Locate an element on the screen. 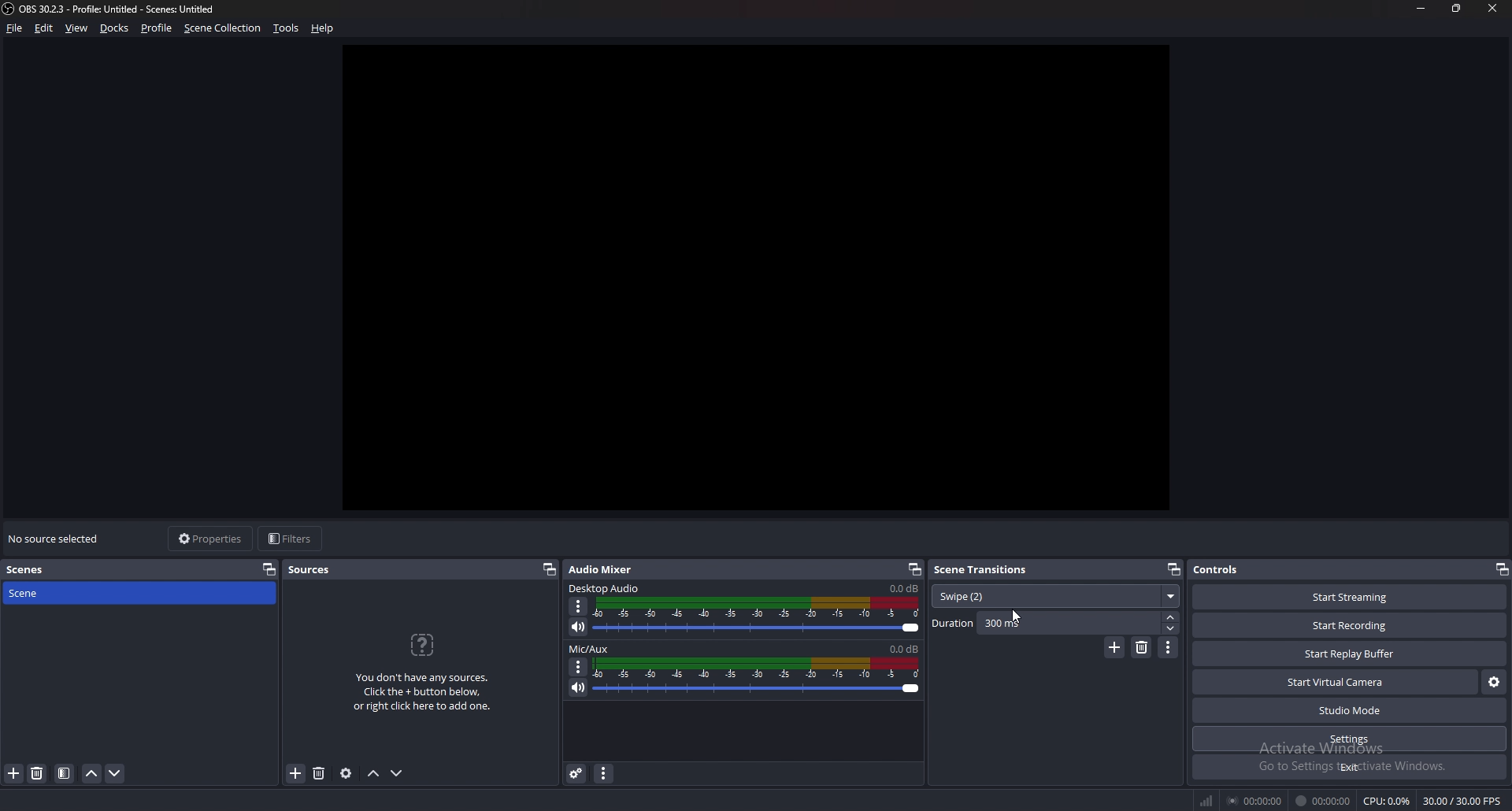  resize is located at coordinates (1458, 8).